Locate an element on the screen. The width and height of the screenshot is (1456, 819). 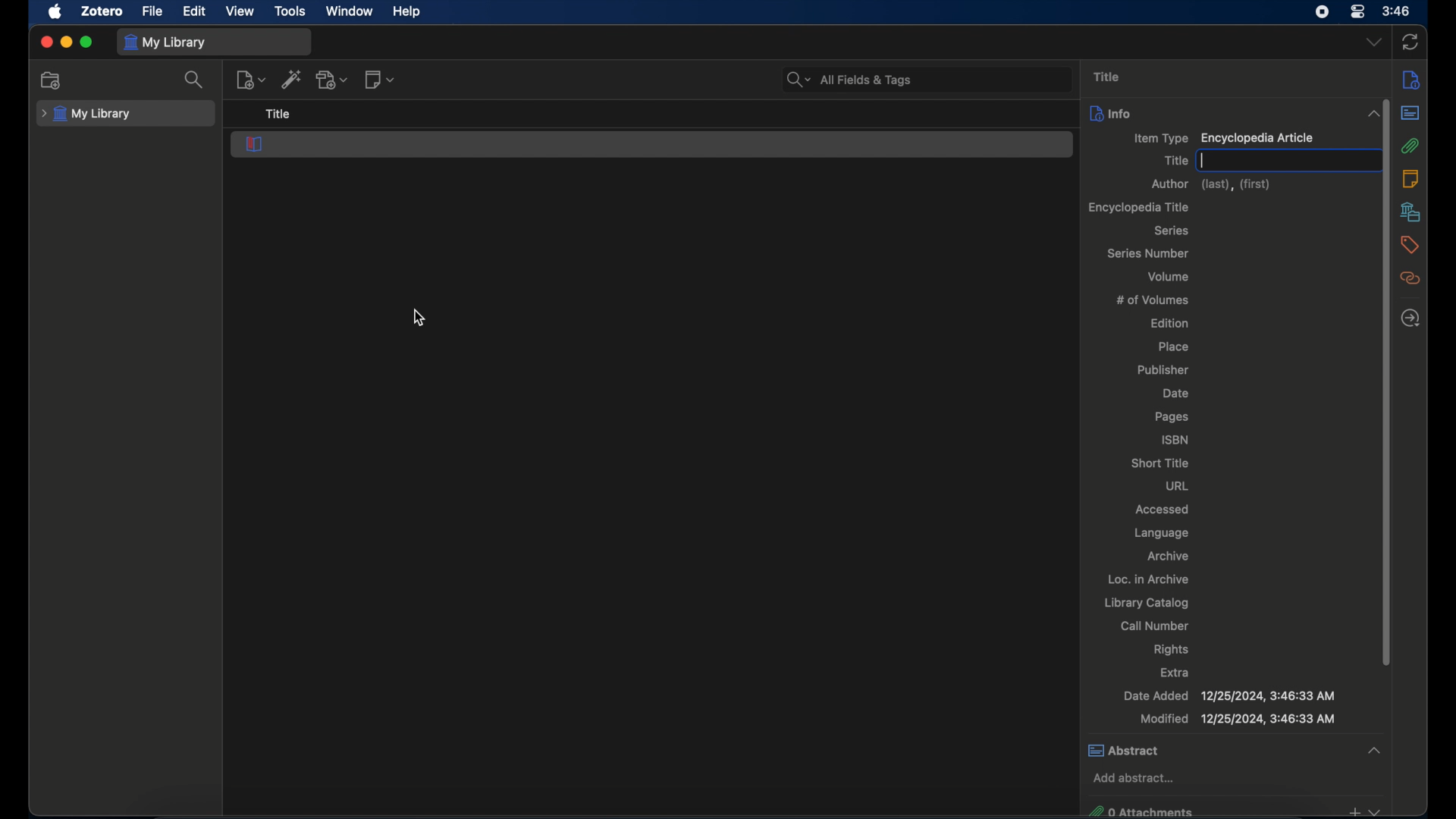
search bar is located at coordinates (850, 80).